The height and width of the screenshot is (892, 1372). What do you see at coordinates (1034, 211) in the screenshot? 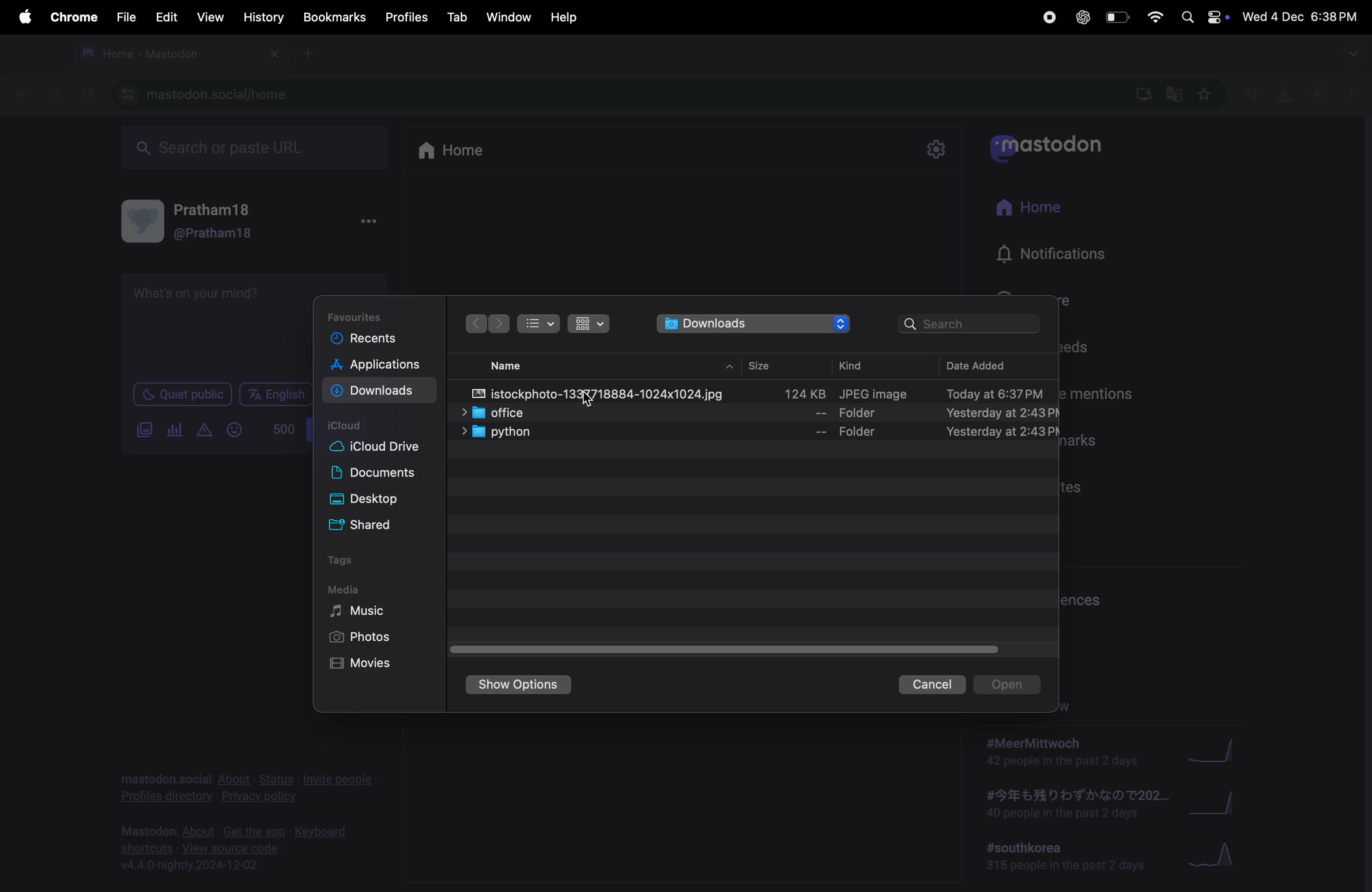
I see `home` at bounding box center [1034, 211].